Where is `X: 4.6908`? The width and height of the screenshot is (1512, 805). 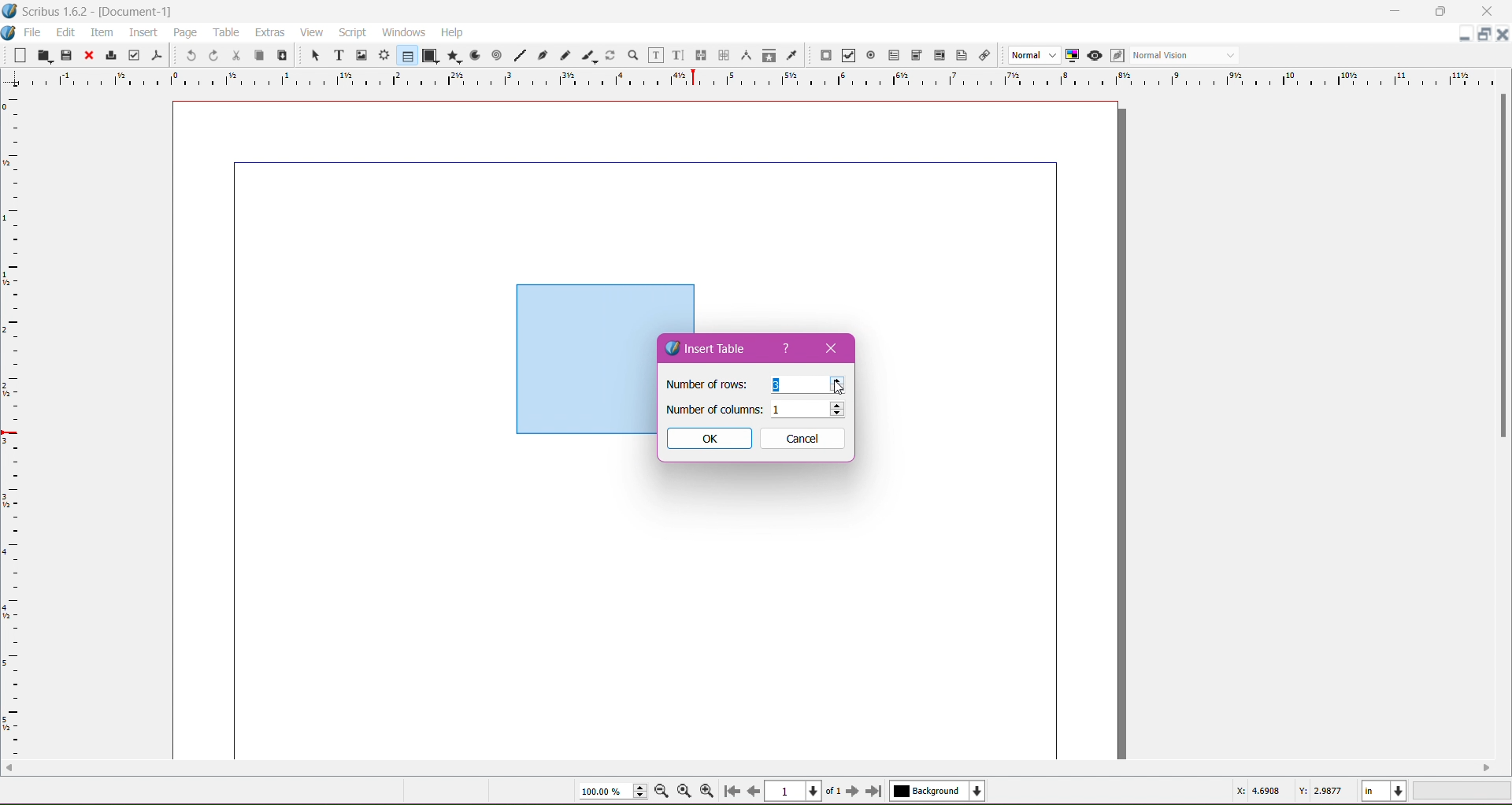 X: 4.6908 is located at coordinates (1258, 792).